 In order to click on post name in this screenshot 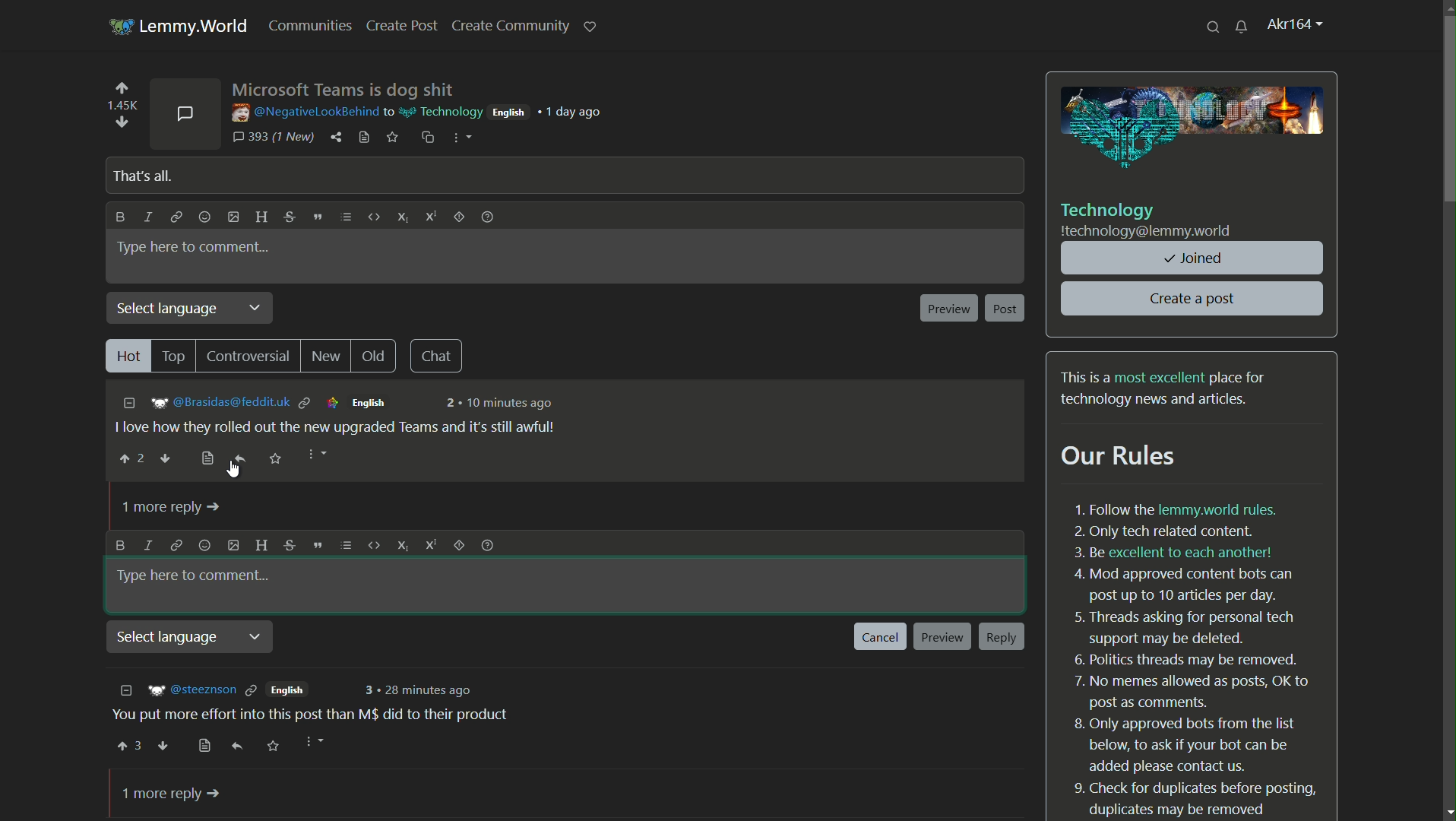, I will do `click(344, 88)`.